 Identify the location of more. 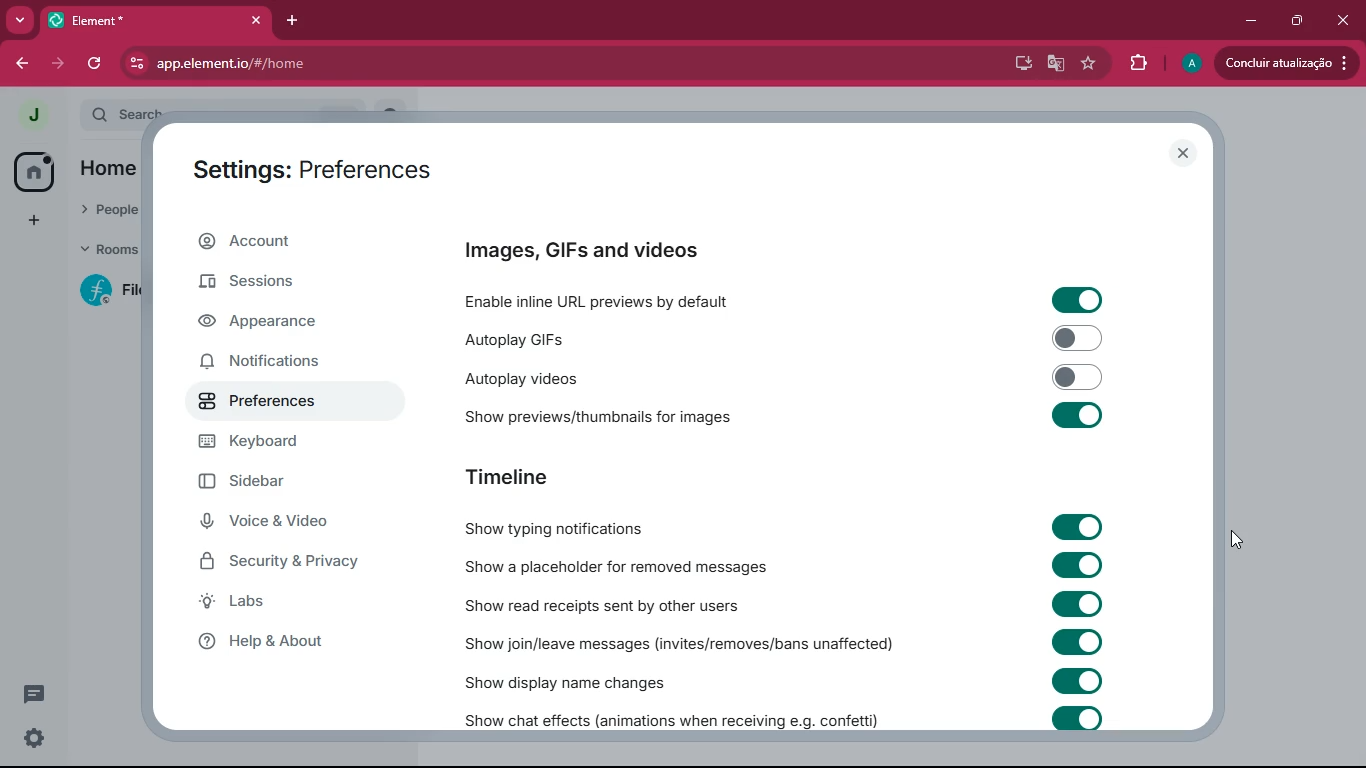
(20, 21).